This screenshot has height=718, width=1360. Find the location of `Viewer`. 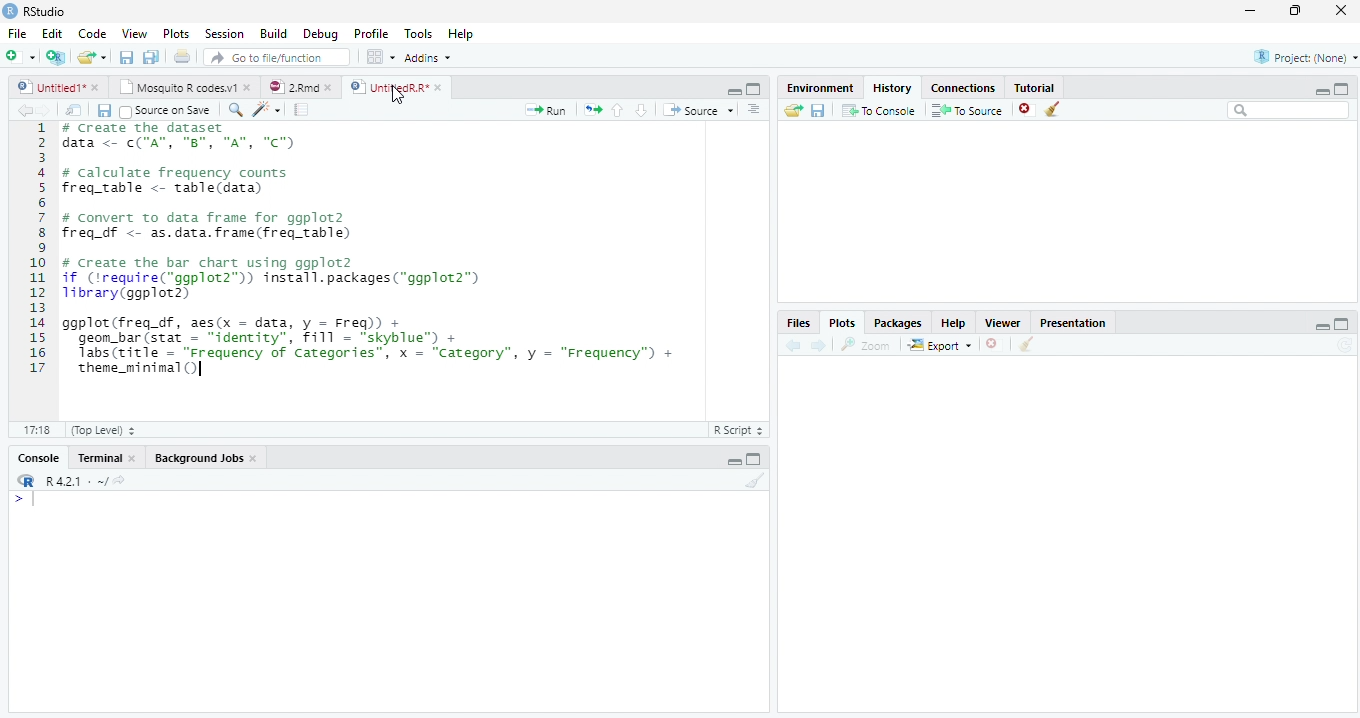

Viewer is located at coordinates (1008, 324).